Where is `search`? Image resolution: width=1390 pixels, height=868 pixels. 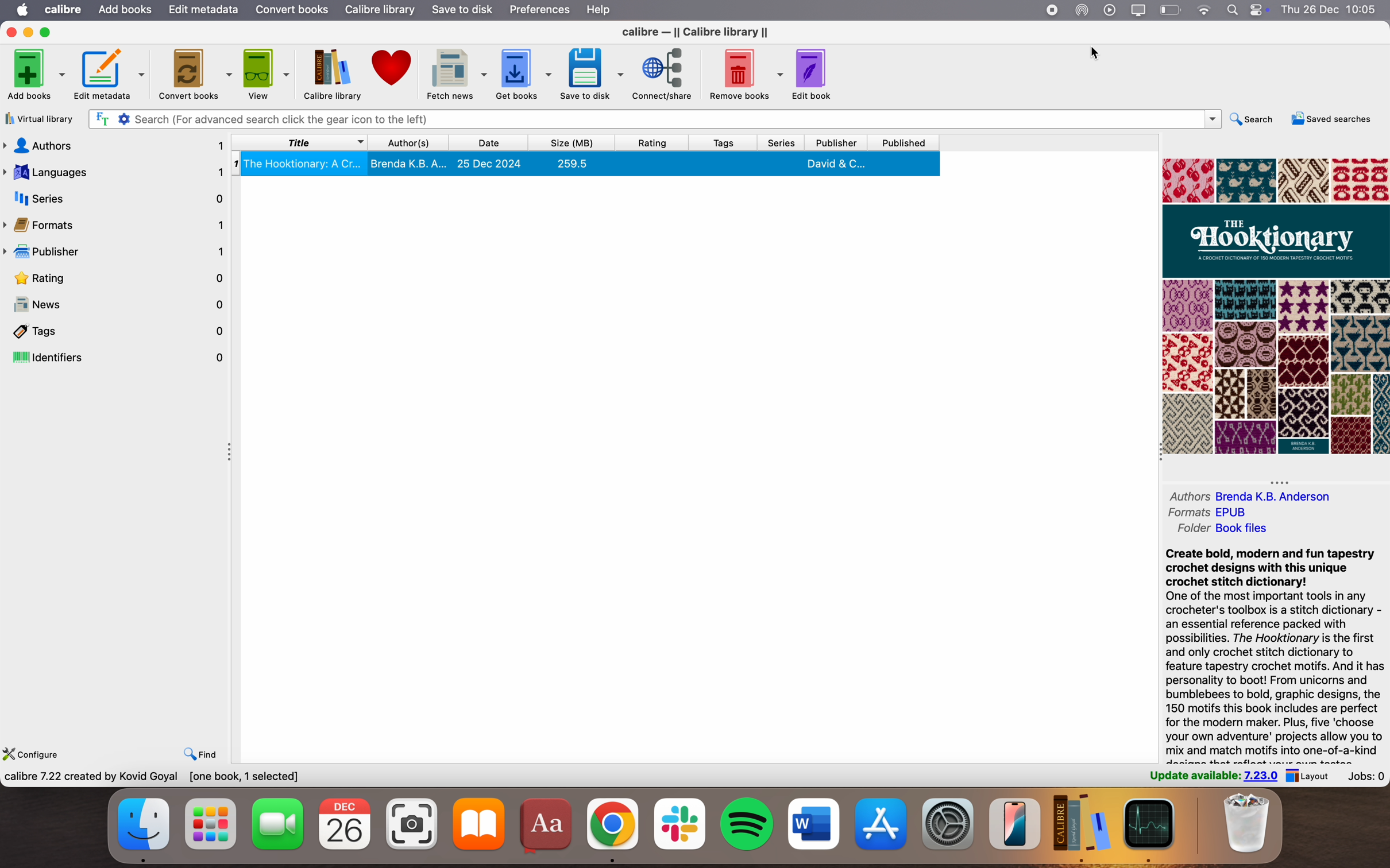
search is located at coordinates (1253, 119).